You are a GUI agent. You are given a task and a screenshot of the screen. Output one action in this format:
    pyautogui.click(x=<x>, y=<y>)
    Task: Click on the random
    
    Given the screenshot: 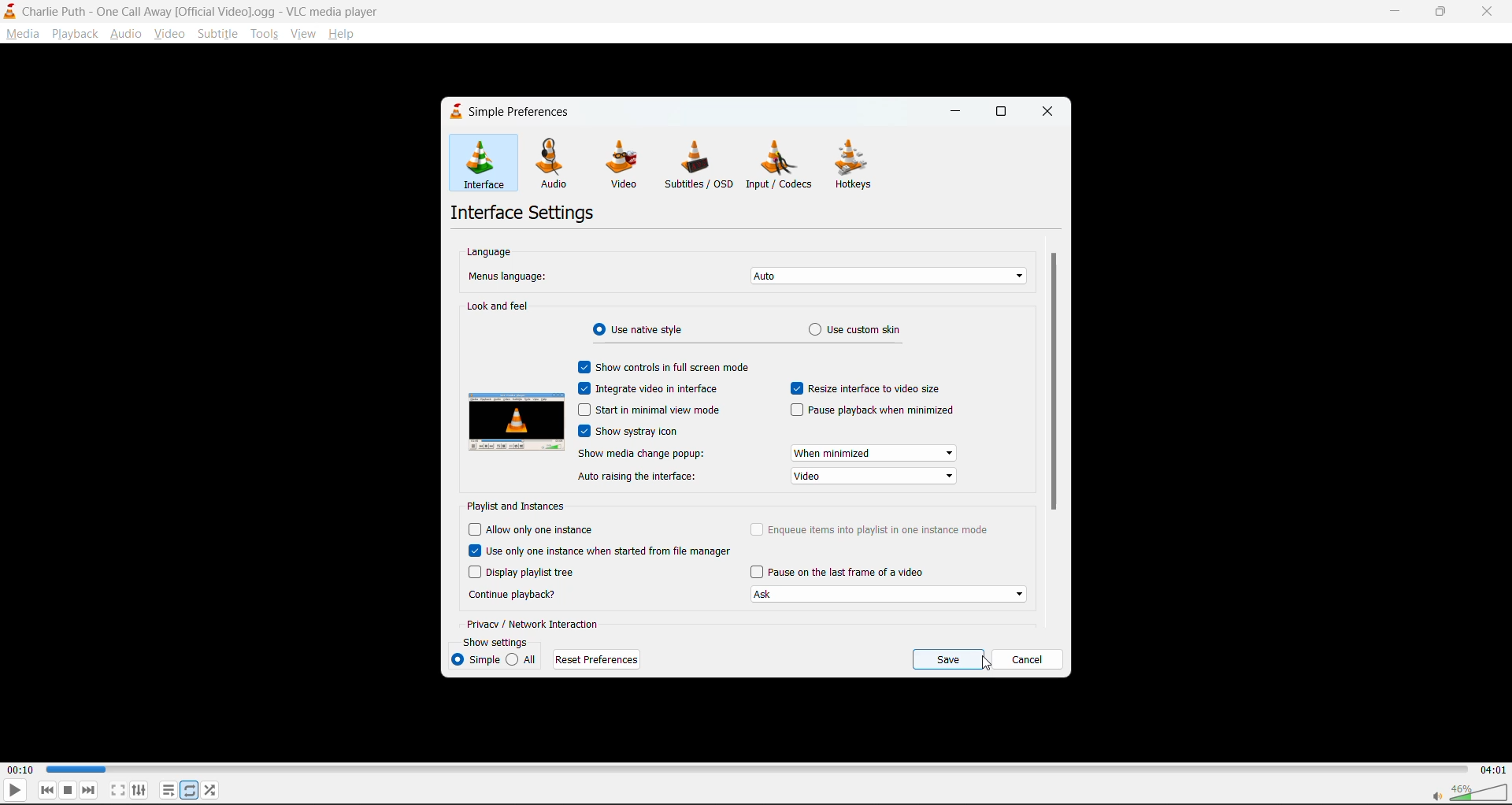 What is the action you would take?
    pyautogui.click(x=211, y=791)
    